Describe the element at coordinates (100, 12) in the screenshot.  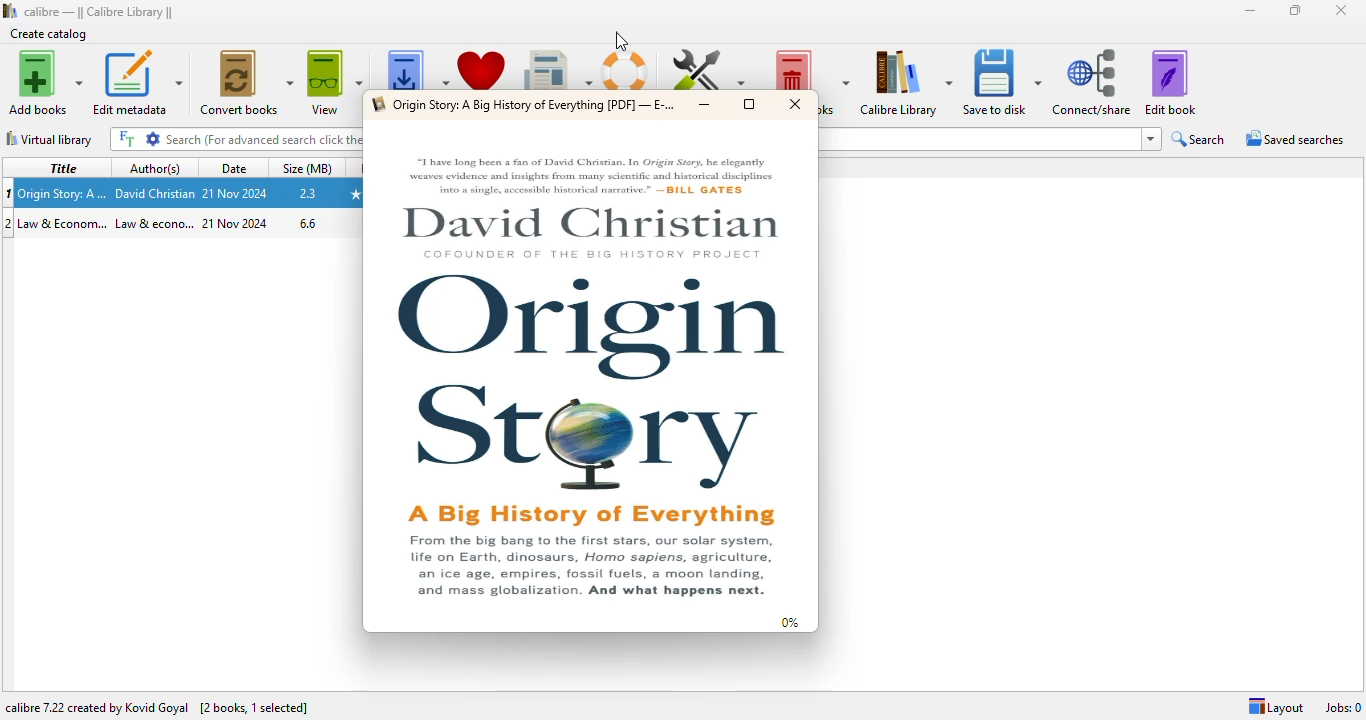
I see `calibre library` at that location.